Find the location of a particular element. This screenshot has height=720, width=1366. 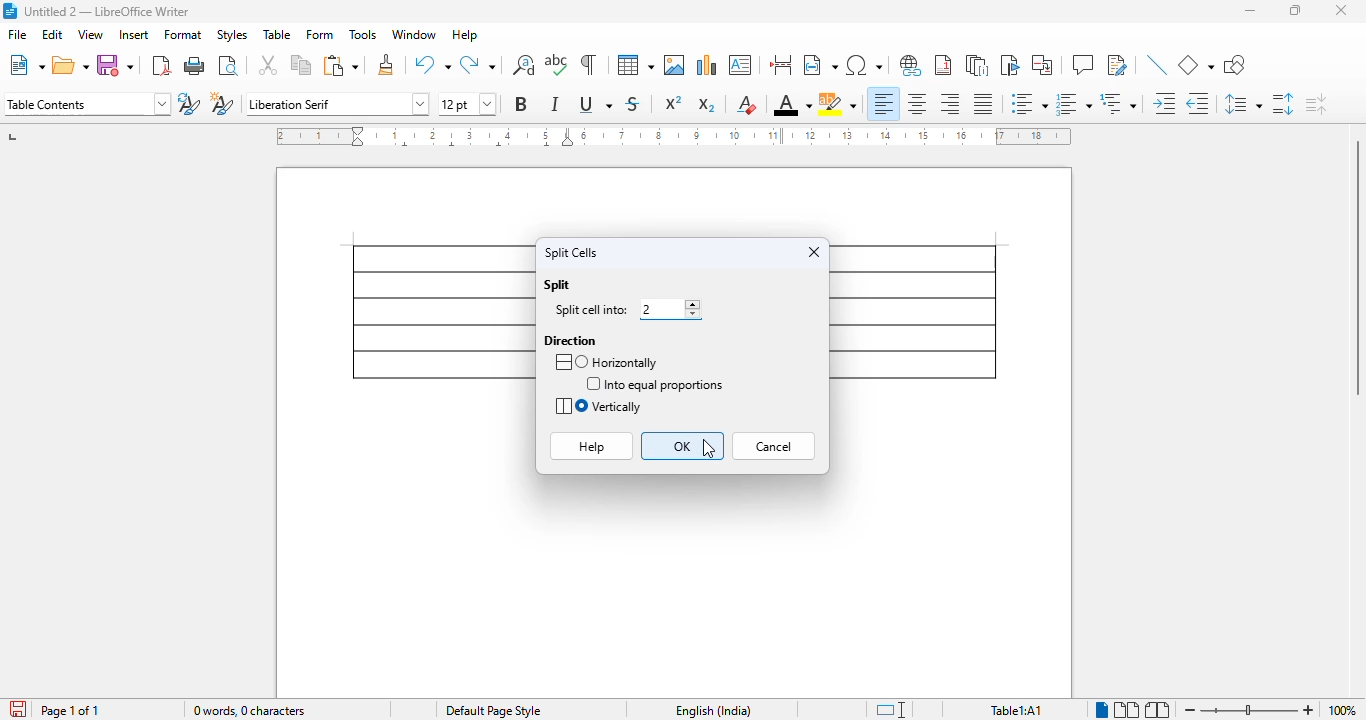

clone formatting is located at coordinates (386, 64).